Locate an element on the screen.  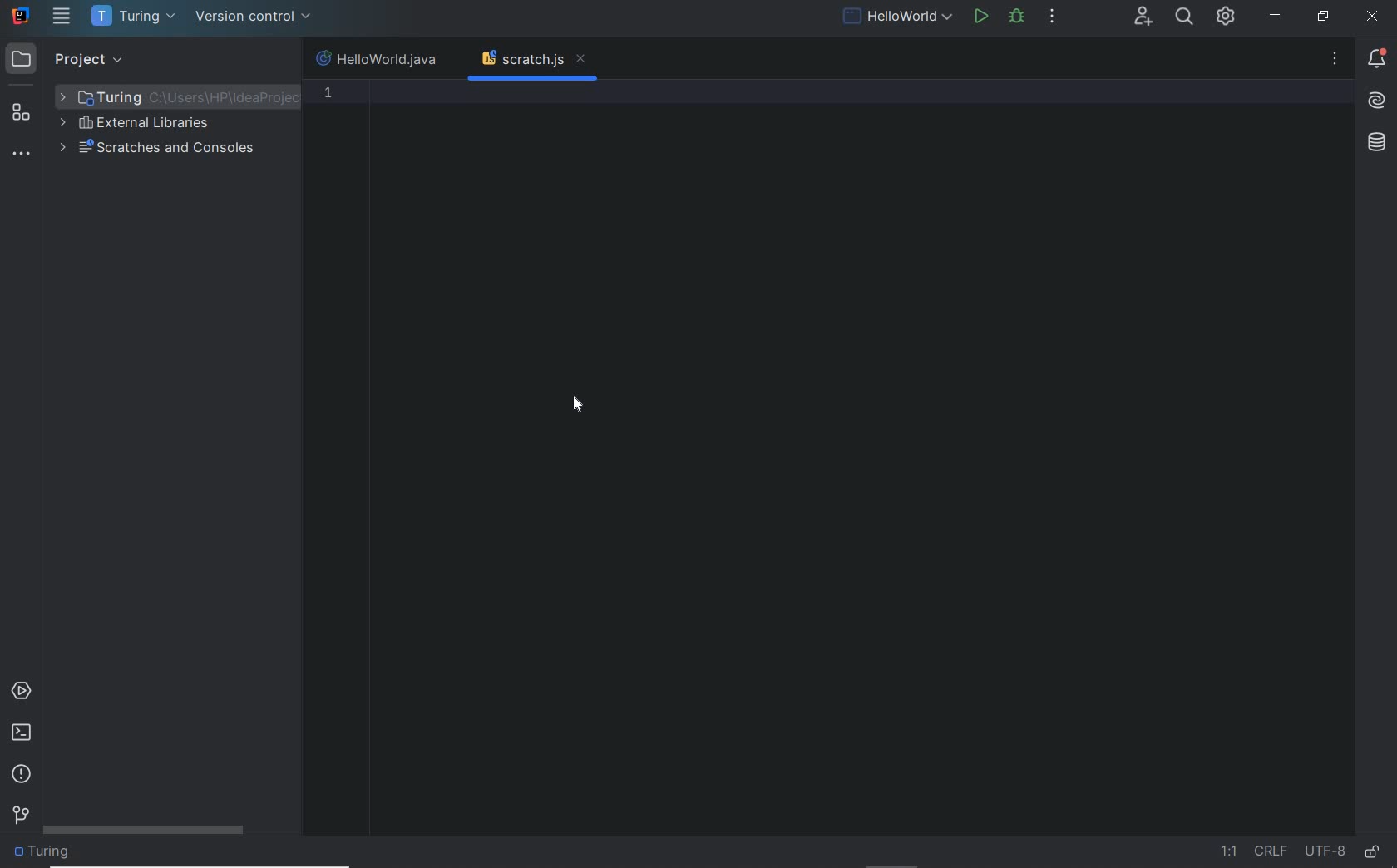
main menu is located at coordinates (62, 17).